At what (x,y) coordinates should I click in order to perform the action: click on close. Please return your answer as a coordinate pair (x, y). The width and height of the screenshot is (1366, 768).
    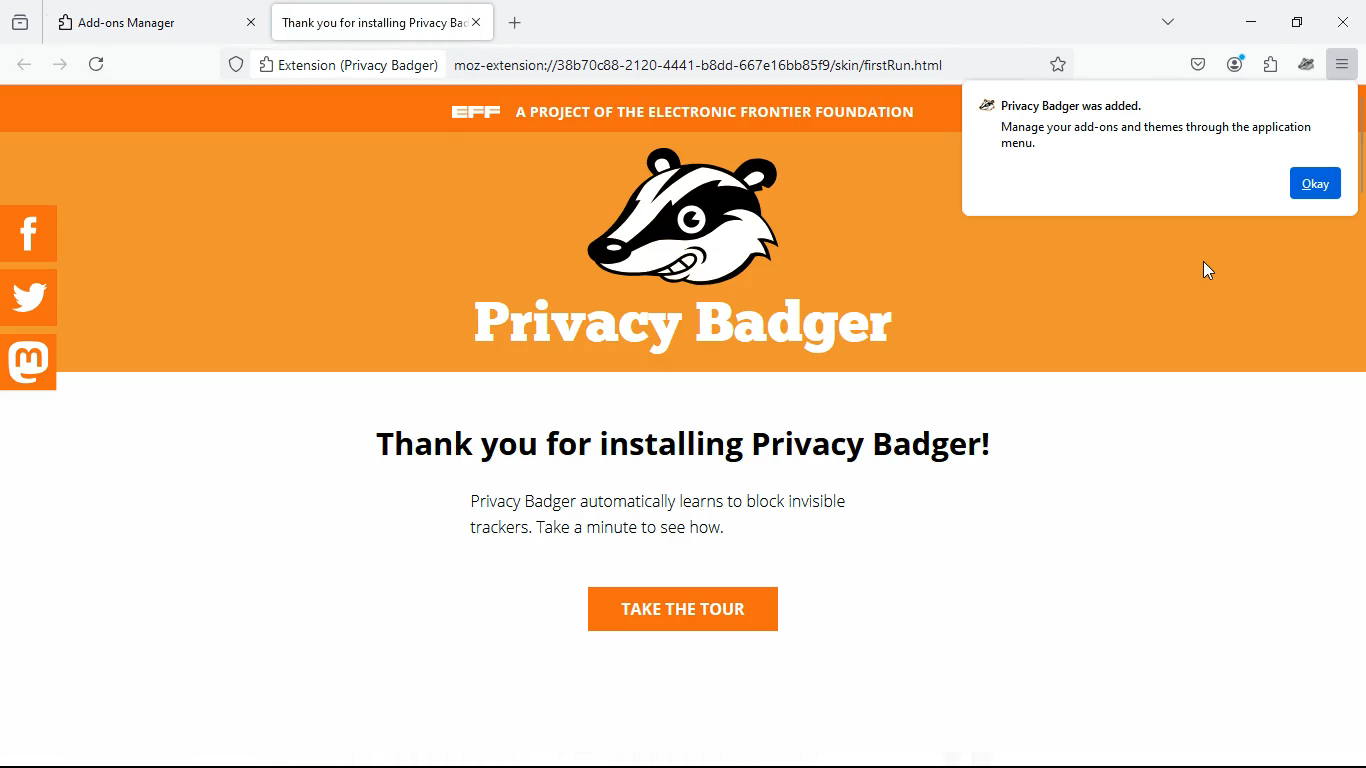
    Looking at the image, I should click on (1348, 21).